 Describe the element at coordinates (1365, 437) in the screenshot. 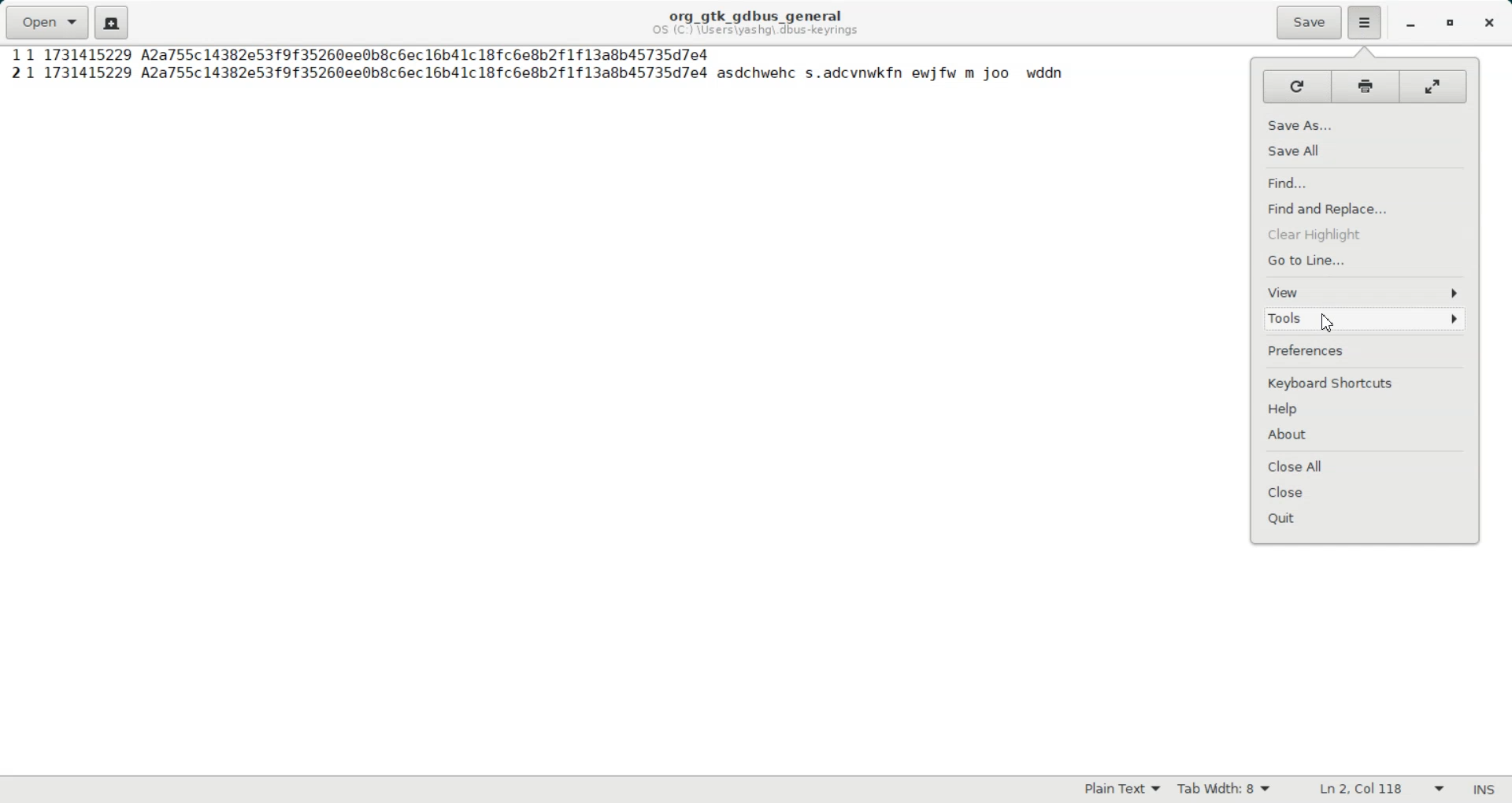

I see `About` at that location.